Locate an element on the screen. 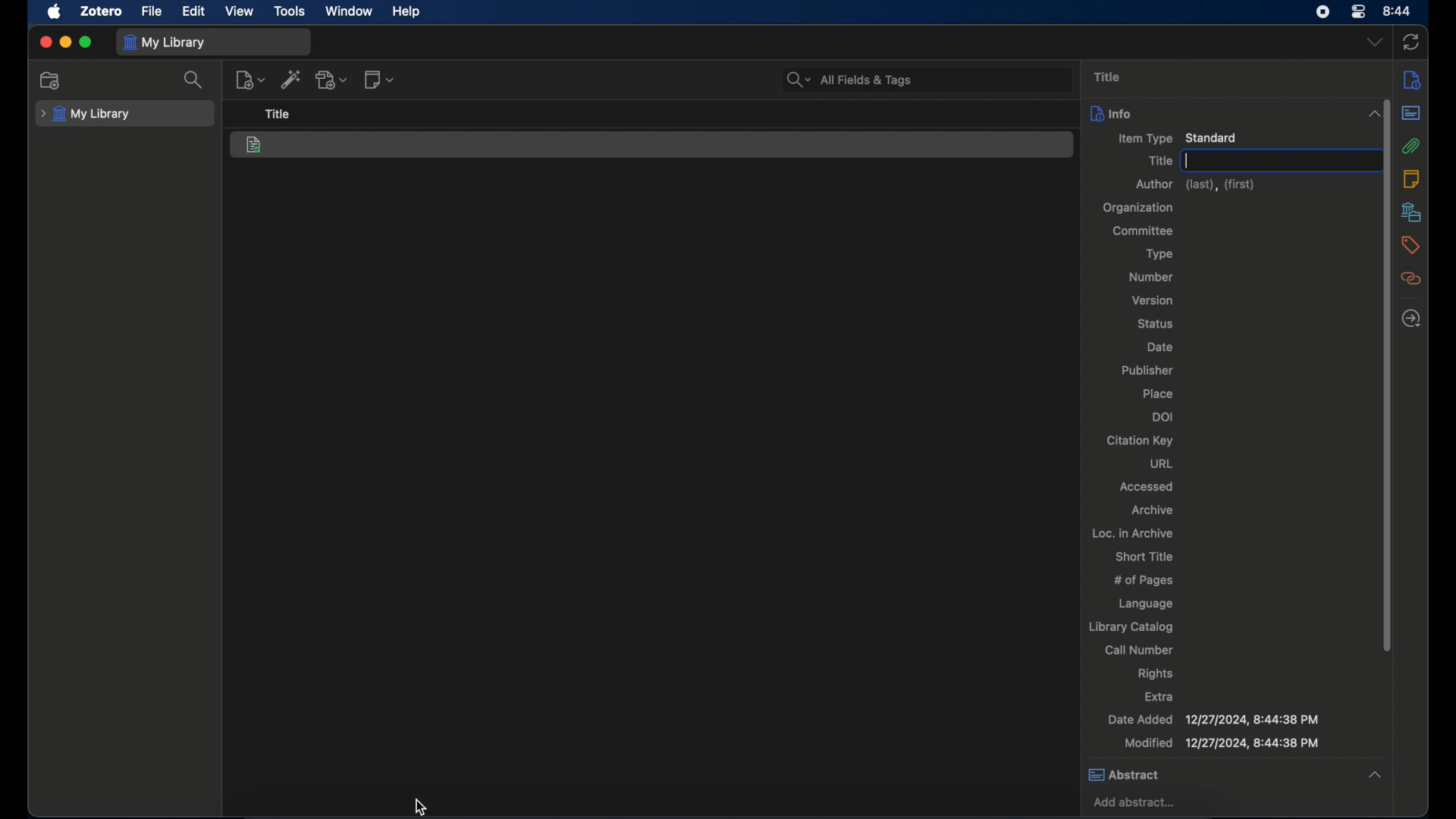 The image size is (1456, 819). rights is located at coordinates (1156, 674).